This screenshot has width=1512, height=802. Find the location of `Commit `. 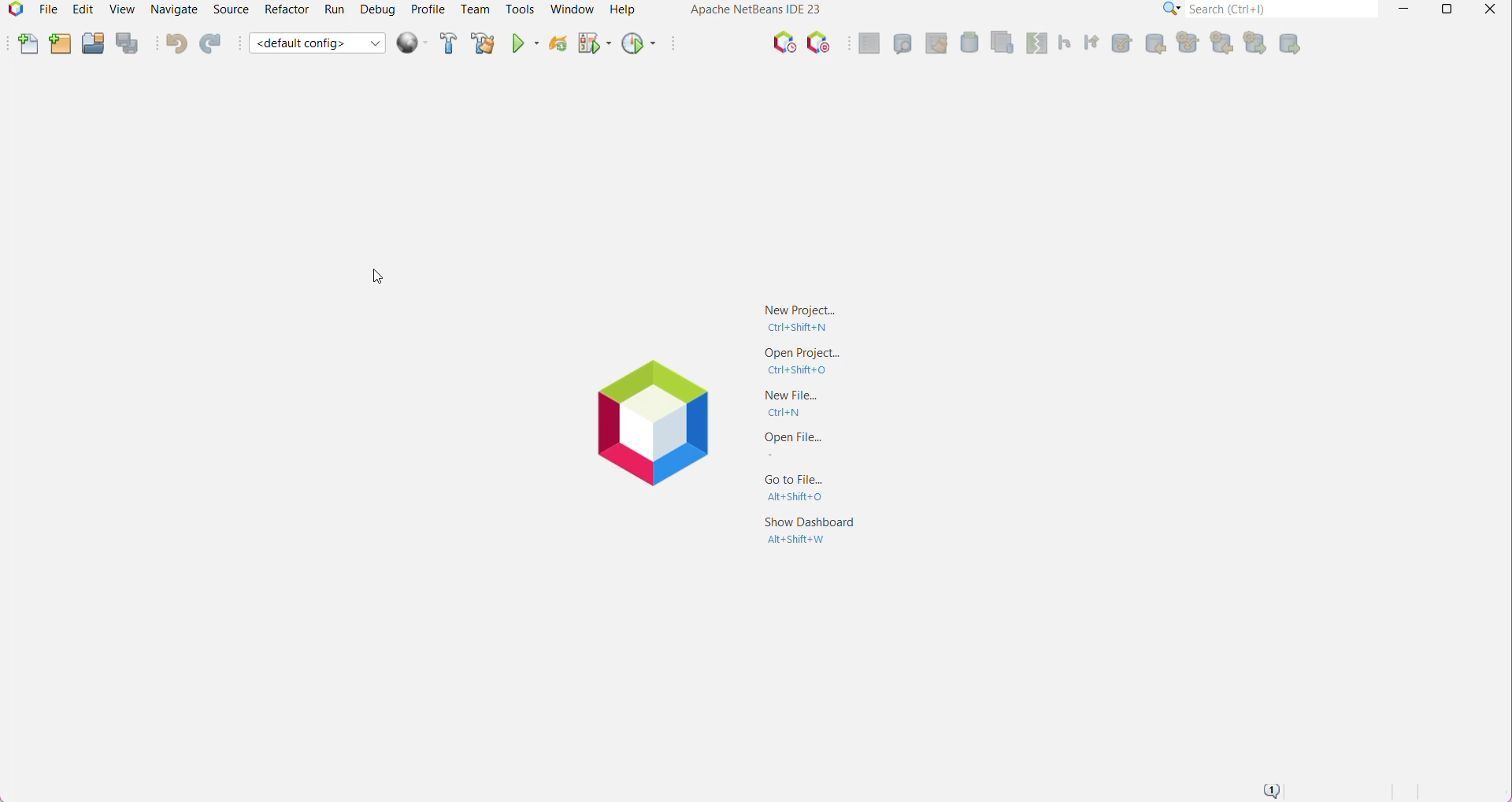

Commit  is located at coordinates (969, 43).